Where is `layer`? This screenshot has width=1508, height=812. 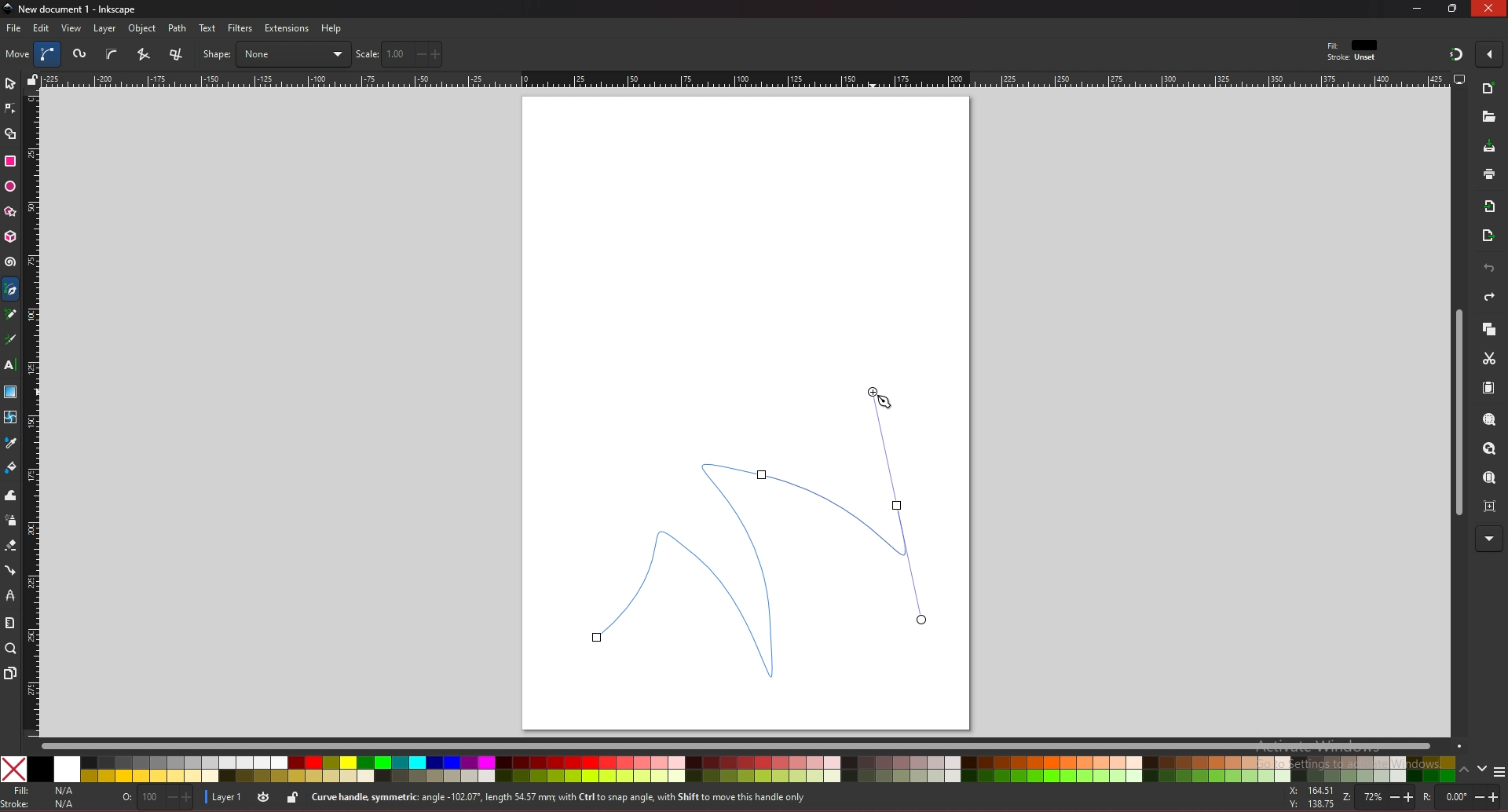 layer is located at coordinates (104, 28).